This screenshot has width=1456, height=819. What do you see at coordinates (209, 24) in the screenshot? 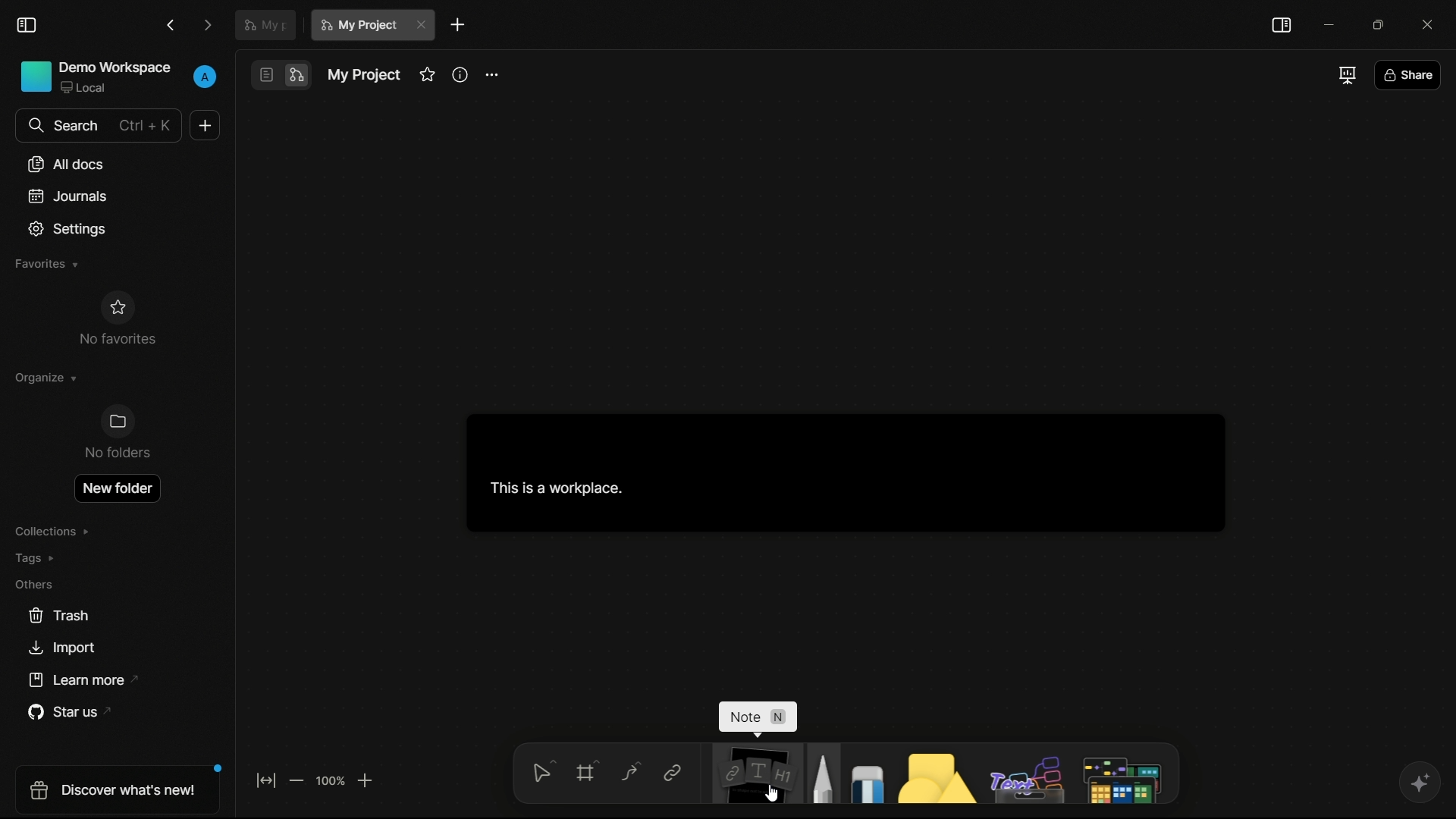
I see `forward` at bounding box center [209, 24].